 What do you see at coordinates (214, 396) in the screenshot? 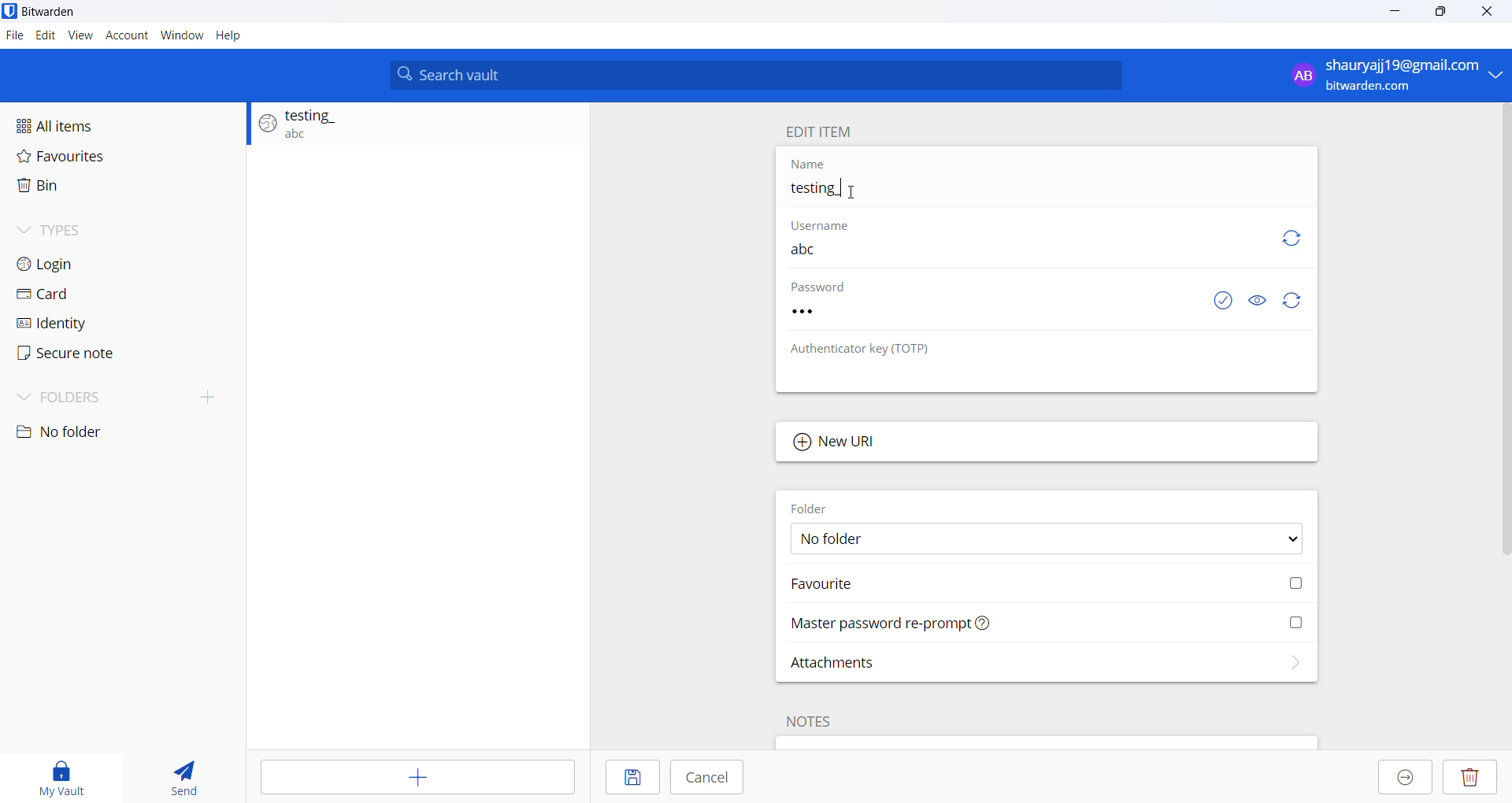
I see `create folder` at bounding box center [214, 396].